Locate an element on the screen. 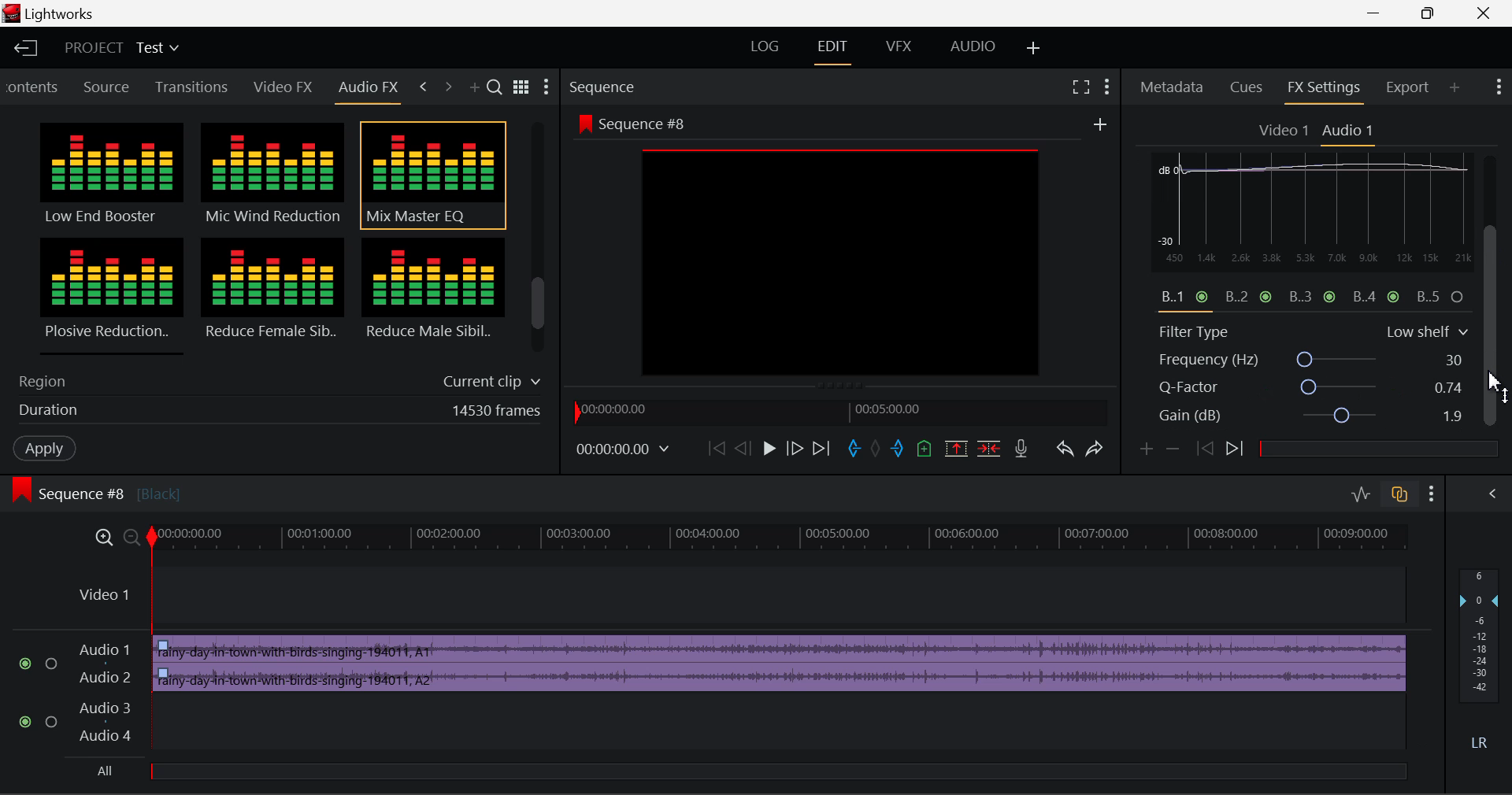 The image size is (1512, 795). Sequence #8  is located at coordinates (630, 120).